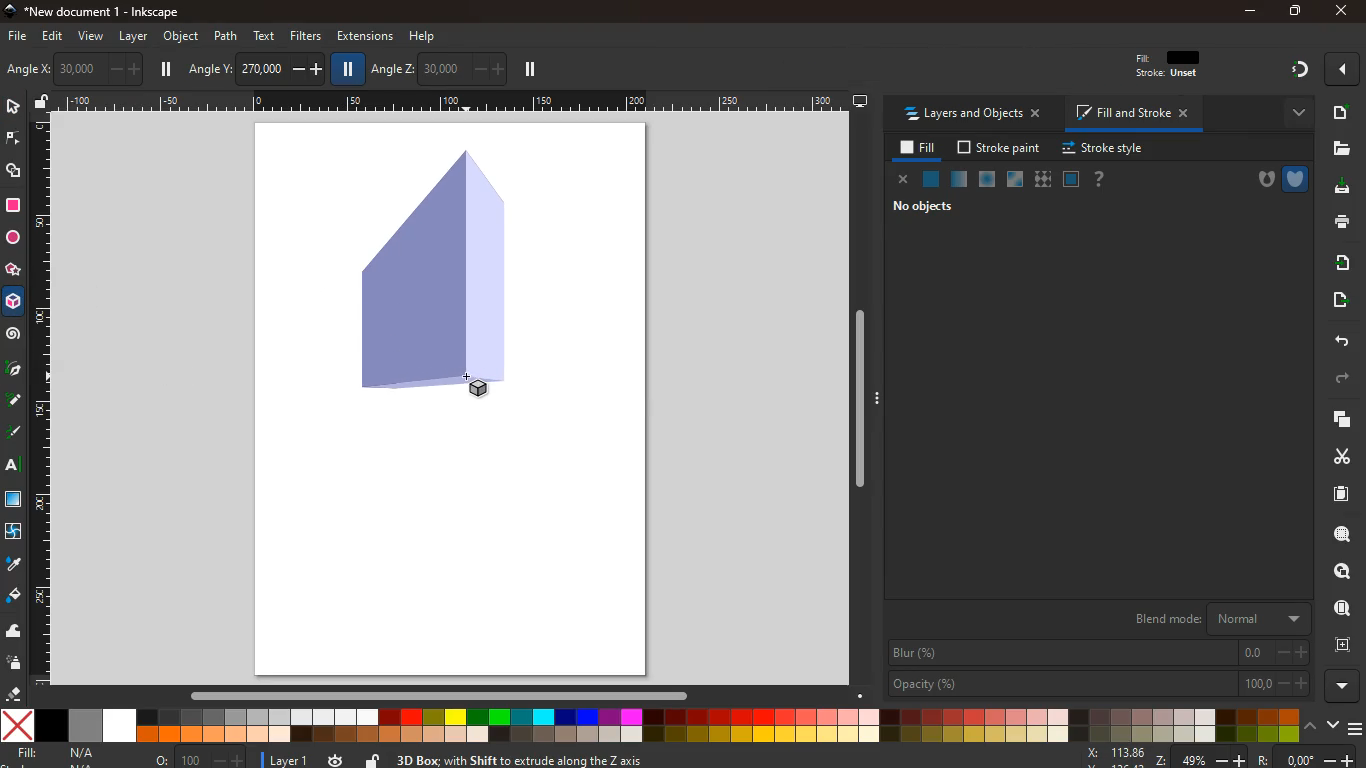 This screenshot has width=1366, height=768. Describe the element at coordinates (1295, 178) in the screenshot. I see `armour` at that location.